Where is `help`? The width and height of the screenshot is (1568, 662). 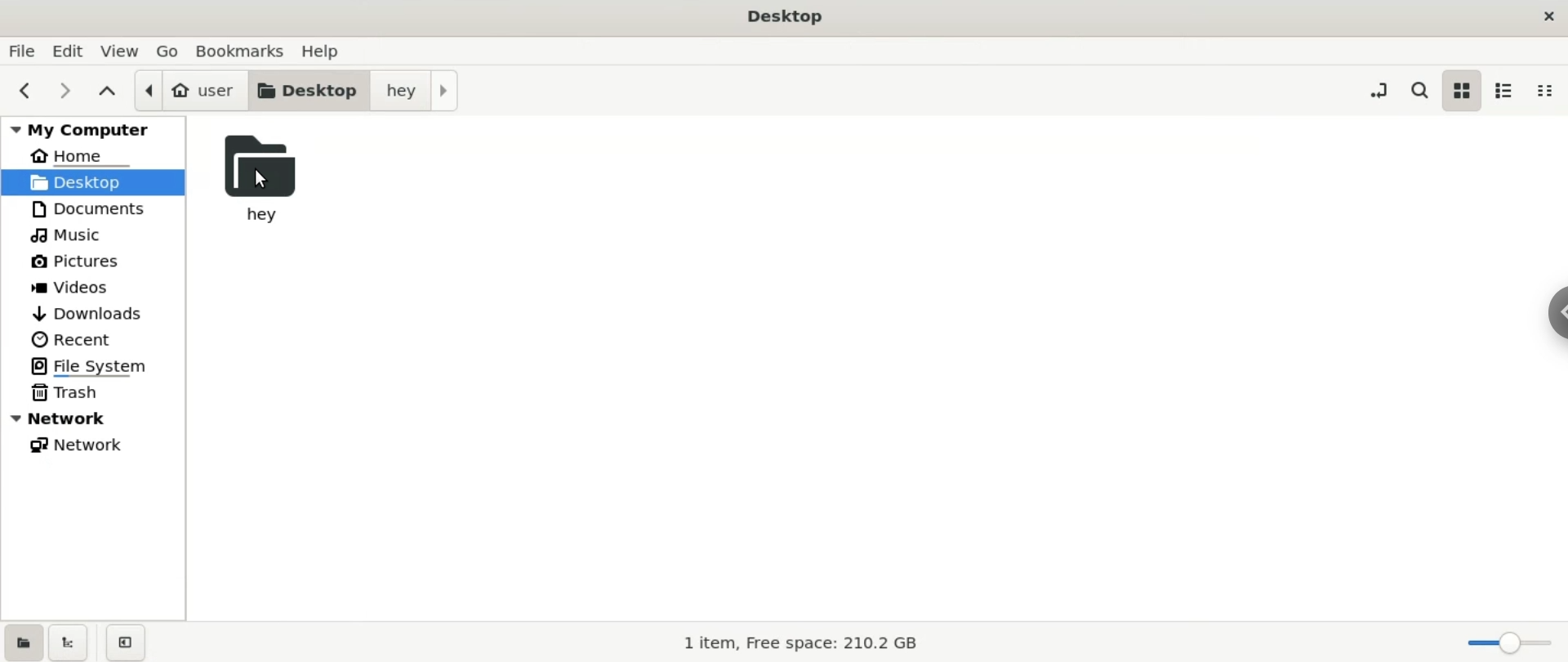
help is located at coordinates (330, 54).